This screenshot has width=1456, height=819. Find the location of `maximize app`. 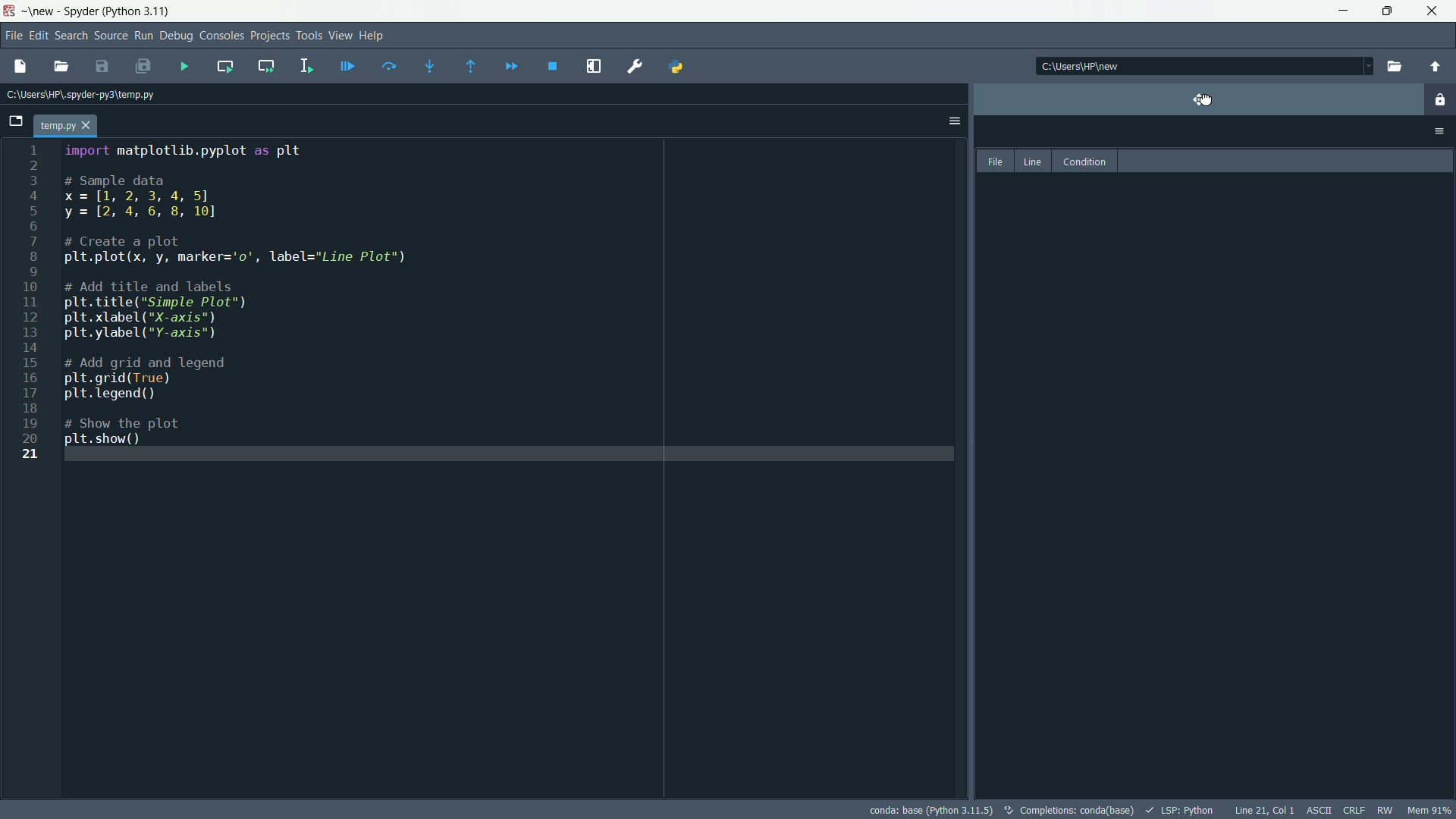

maximize app is located at coordinates (1435, 11).